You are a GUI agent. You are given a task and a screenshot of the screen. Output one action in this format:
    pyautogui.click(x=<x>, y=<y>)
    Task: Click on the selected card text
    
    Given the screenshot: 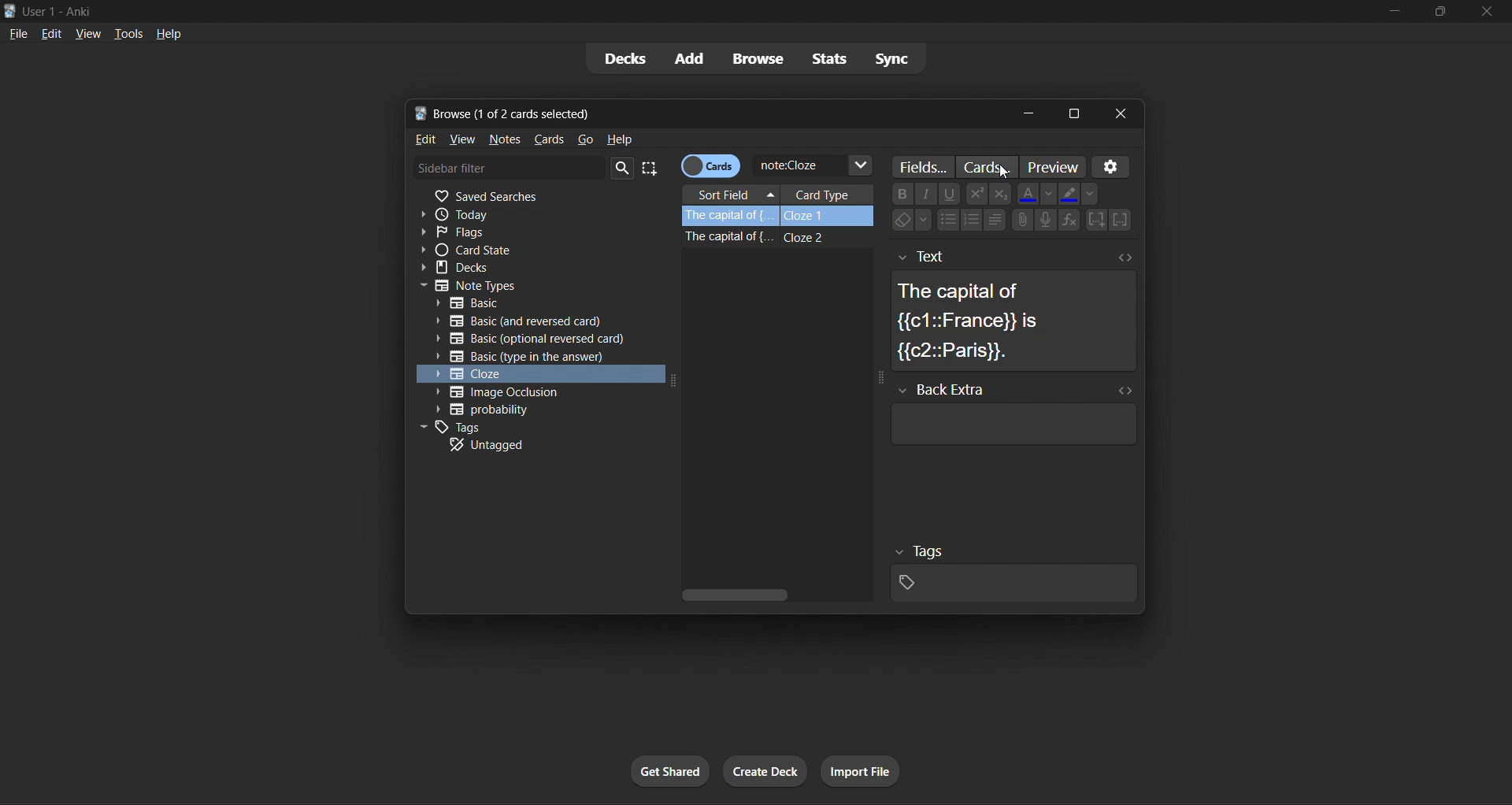 What is the action you would take?
    pyautogui.click(x=1014, y=306)
    